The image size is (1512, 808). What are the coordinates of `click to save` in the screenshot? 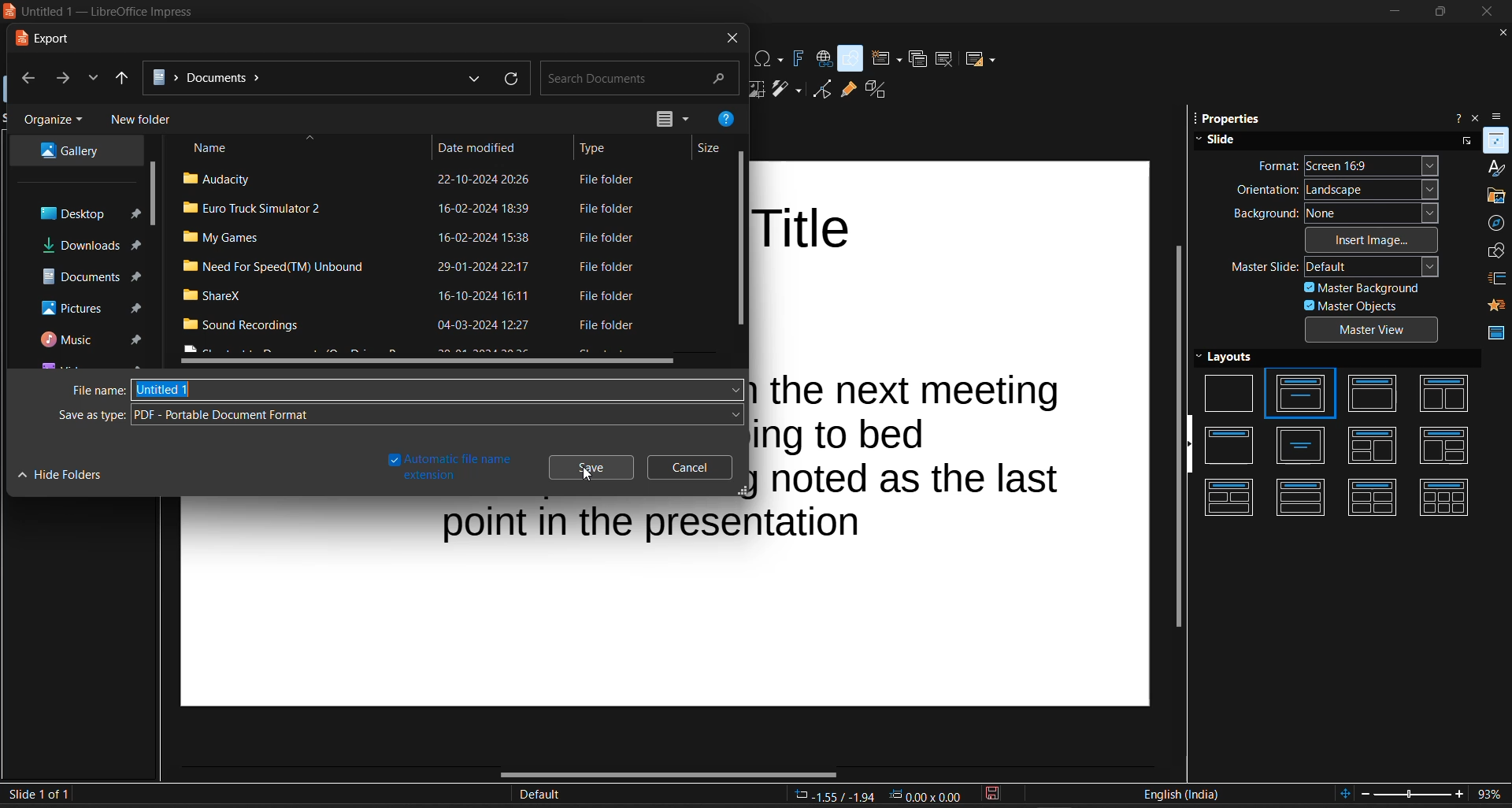 It's located at (994, 796).